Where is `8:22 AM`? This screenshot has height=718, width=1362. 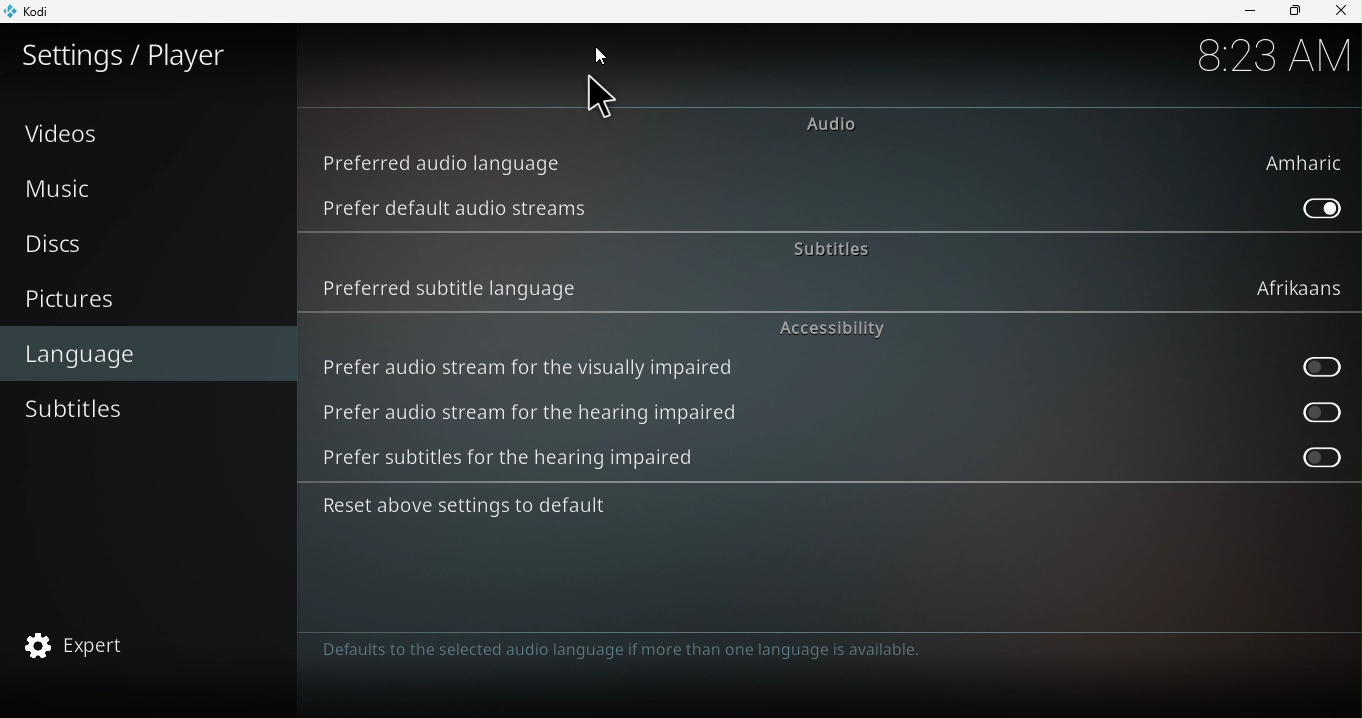
8:22 AM is located at coordinates (1271, 56).